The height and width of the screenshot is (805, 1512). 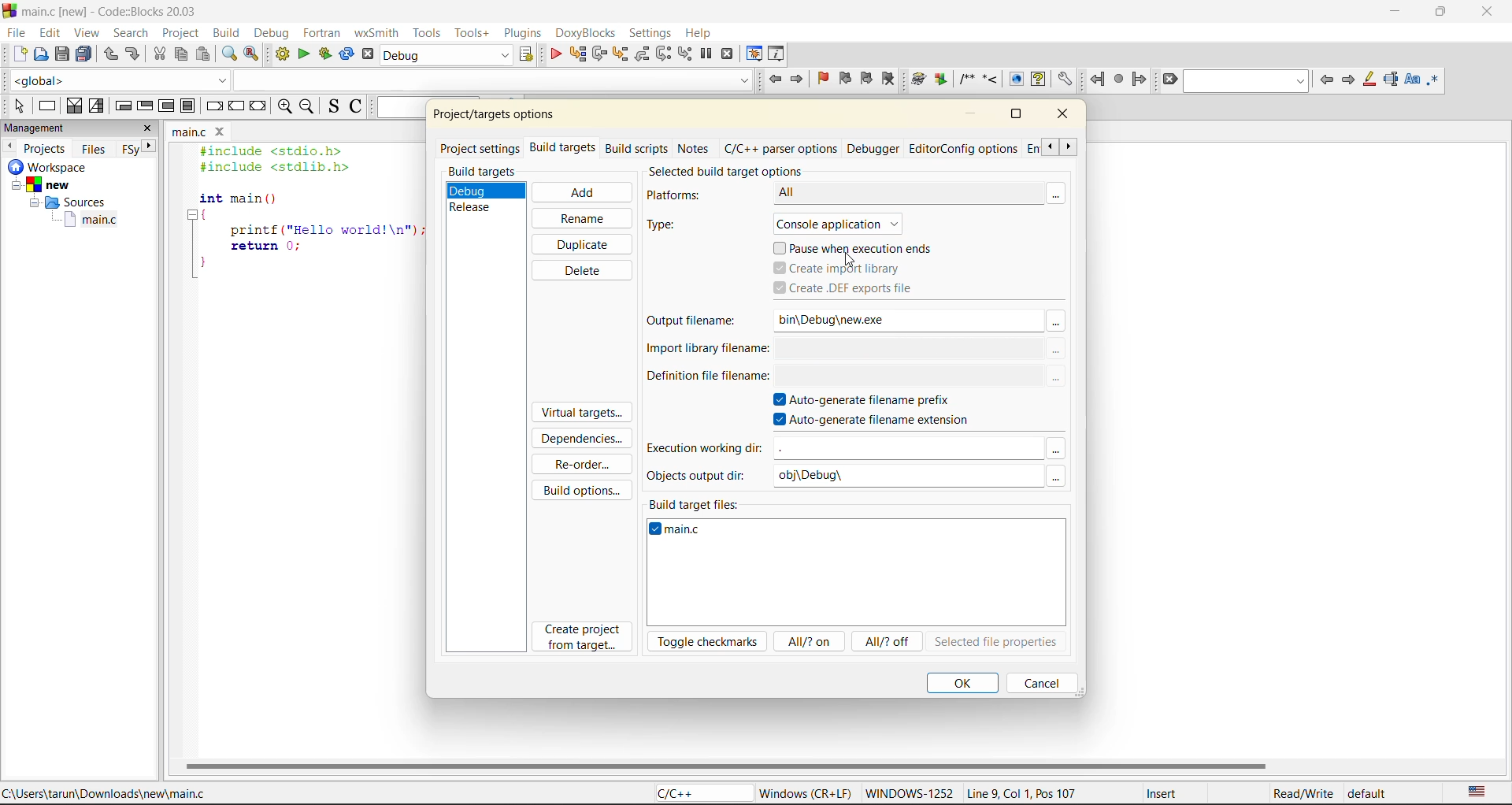 I want to click on More, so click(x=1058, y=350).